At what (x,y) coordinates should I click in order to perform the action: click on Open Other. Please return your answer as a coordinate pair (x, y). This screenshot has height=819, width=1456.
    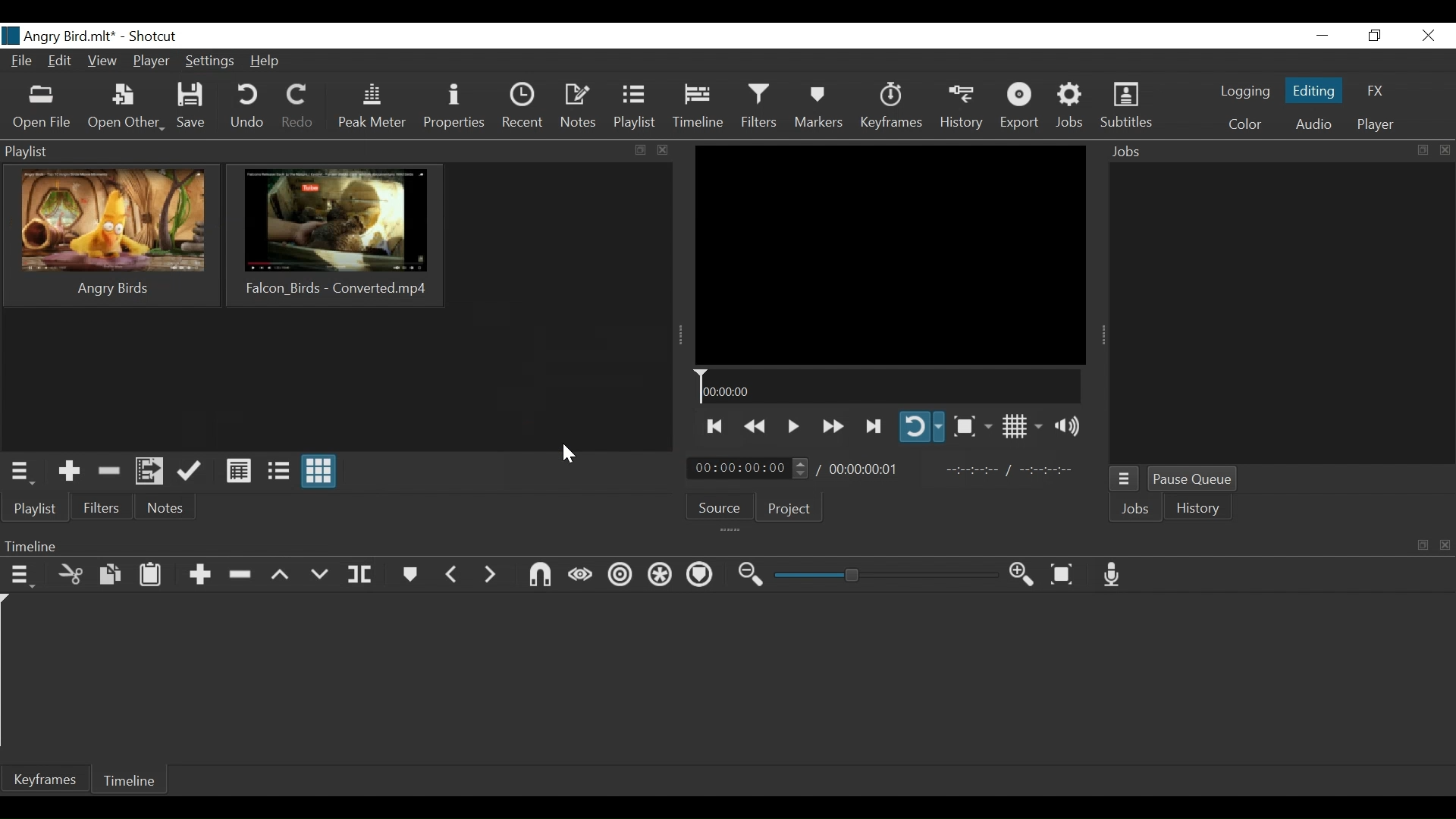
    Looking at the image, I should click on (128, 108).